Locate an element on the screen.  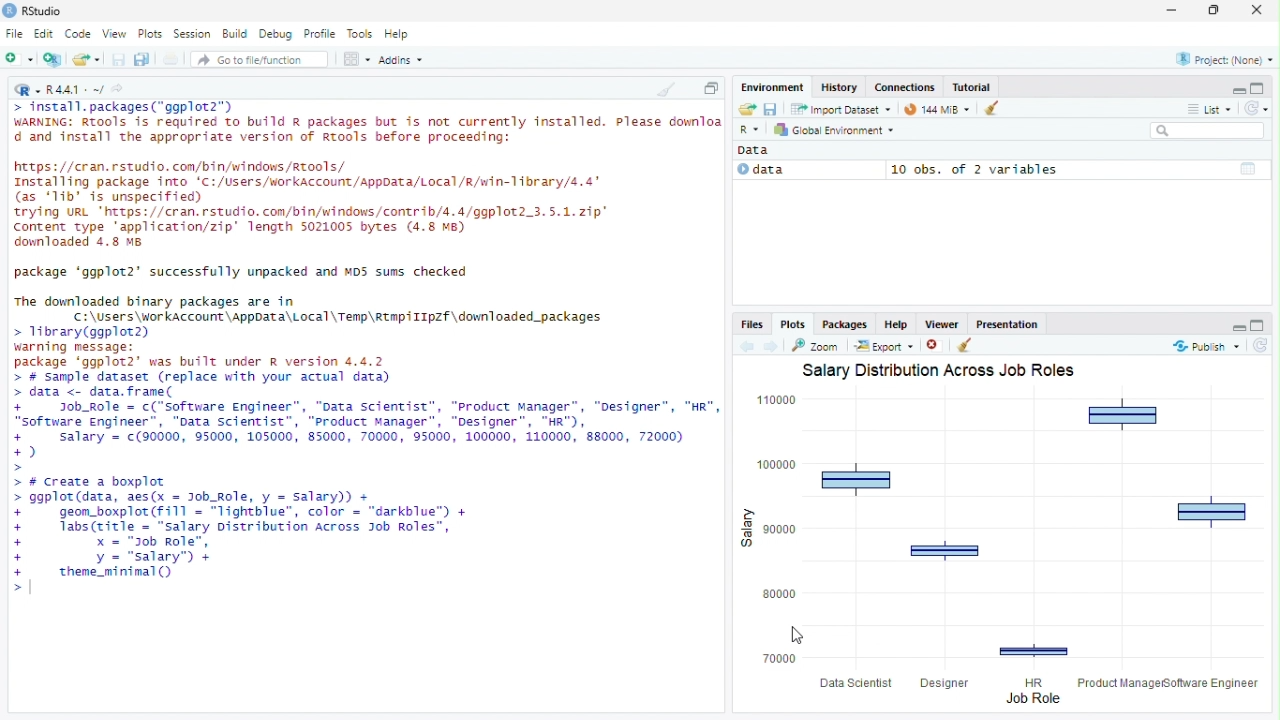
Connections is located at coordinates (904, 87).